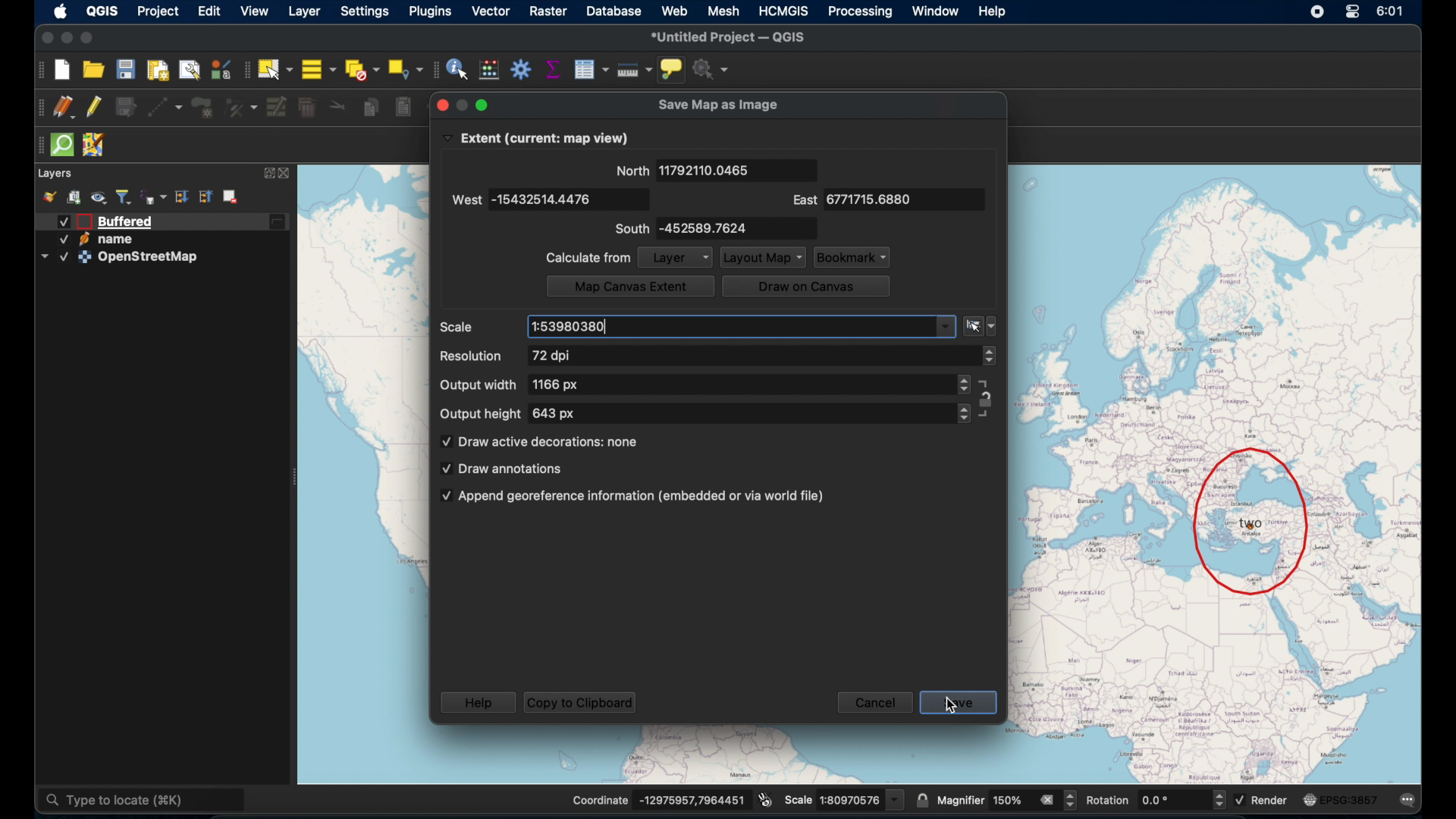 The image size is (1456, 819). Describe the element at coordinates (64, 69) in the screenshot. I see `new project` at that location.